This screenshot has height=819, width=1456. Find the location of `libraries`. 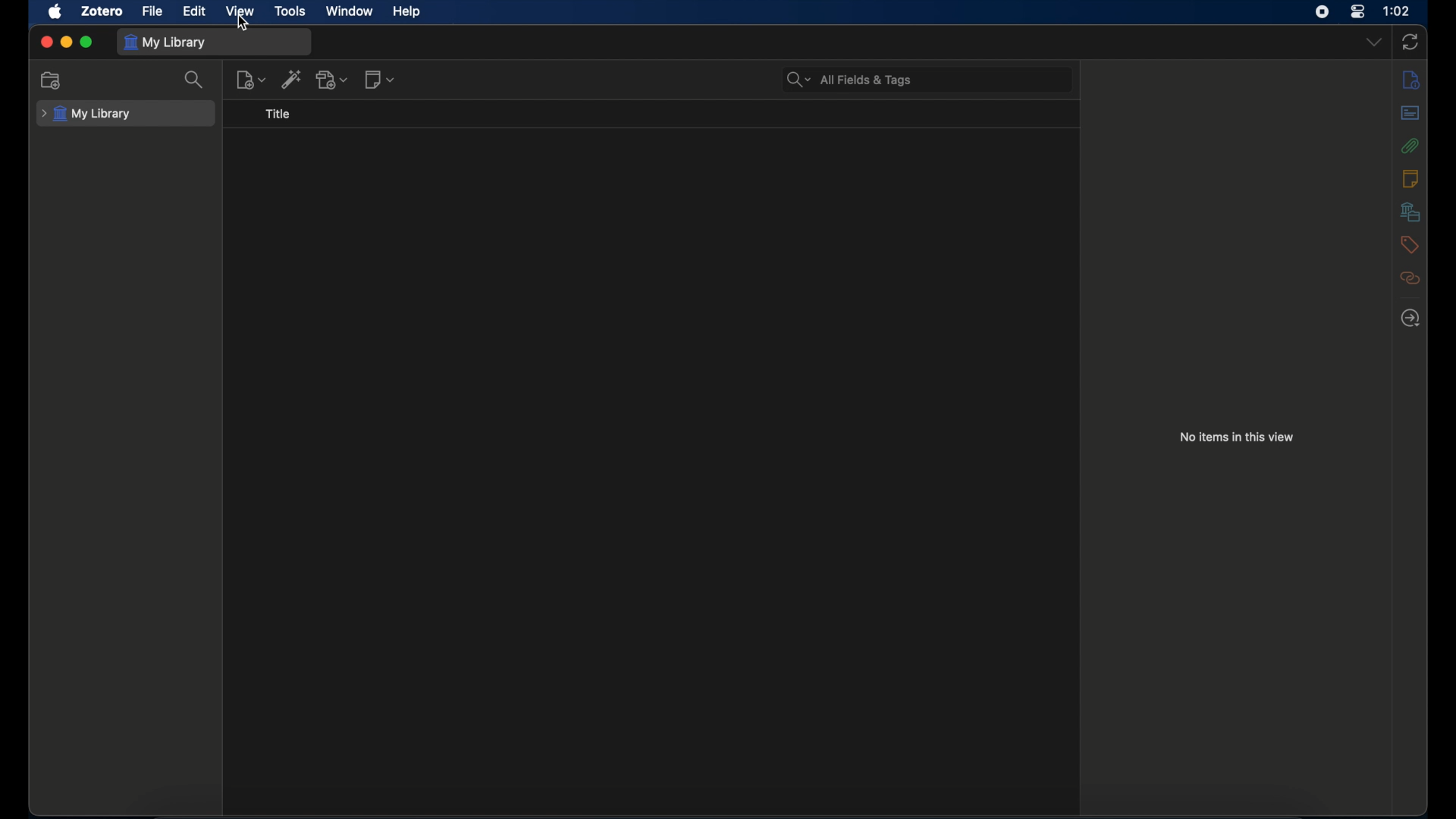

libraries is located at coordinates (1410, 212).